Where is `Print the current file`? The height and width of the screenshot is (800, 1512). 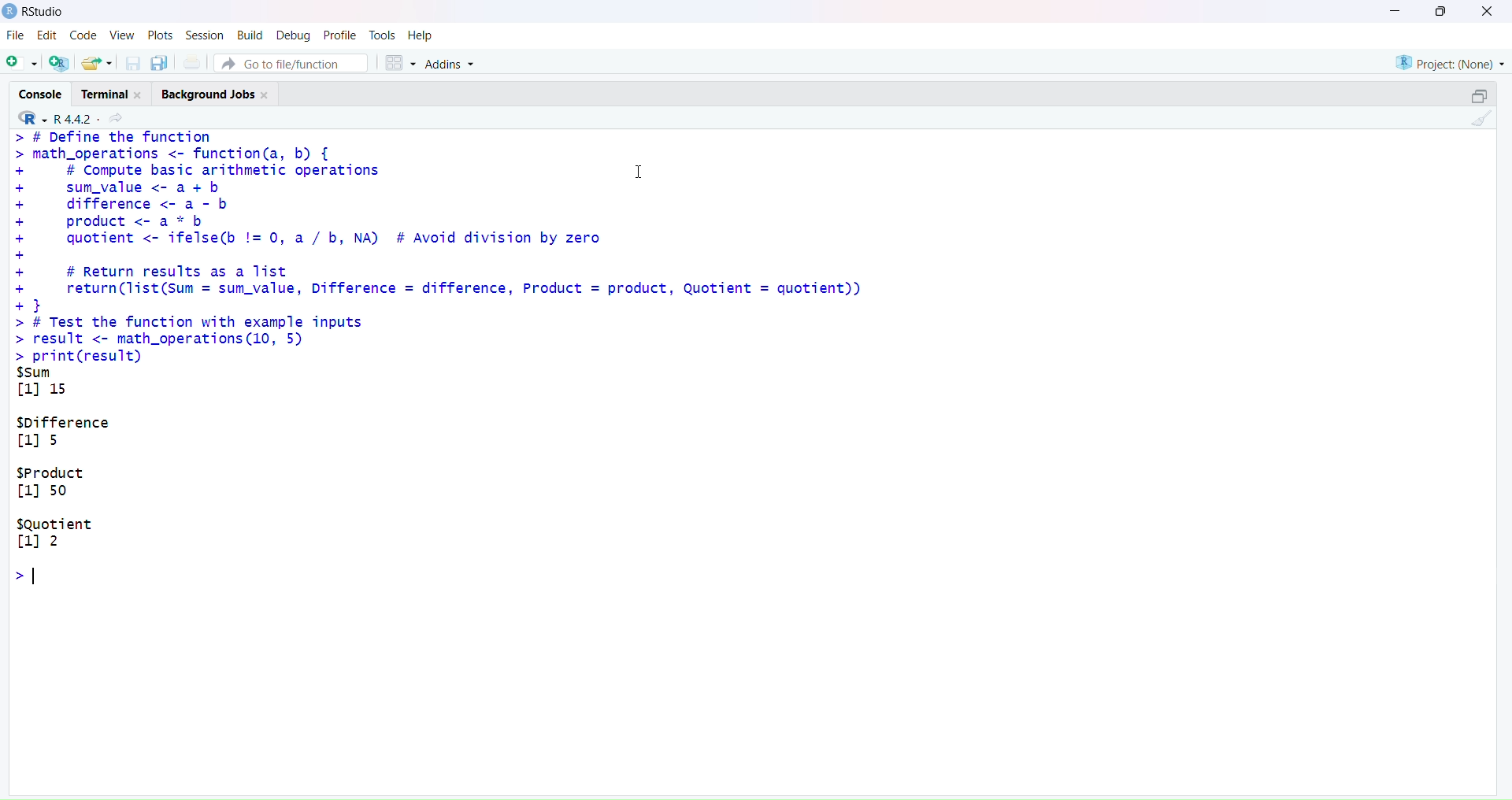
Print the current file is located at coordinates (191, 61).